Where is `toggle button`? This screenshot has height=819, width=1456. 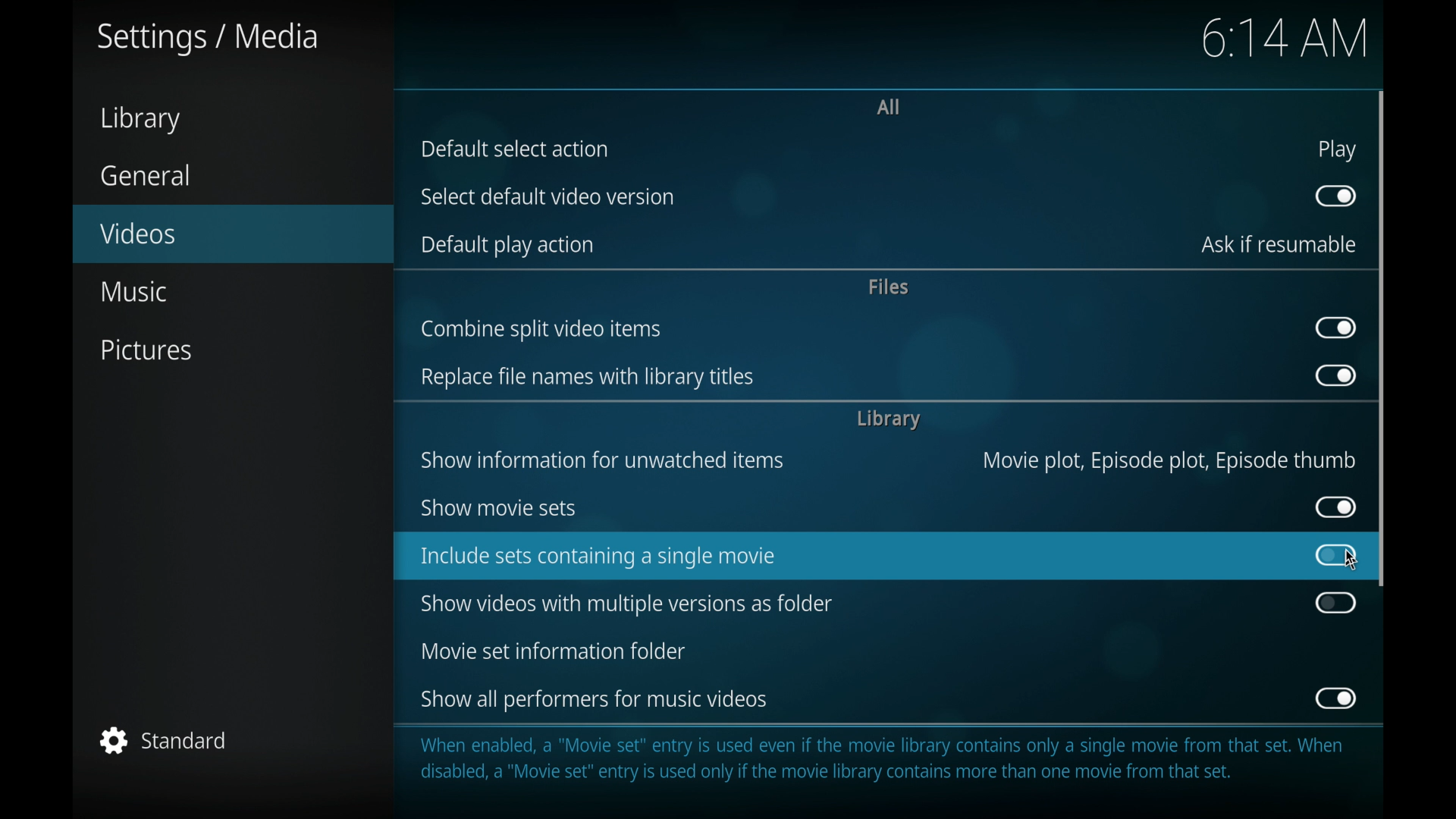
toggle button is located at coordinates (1336, 507).